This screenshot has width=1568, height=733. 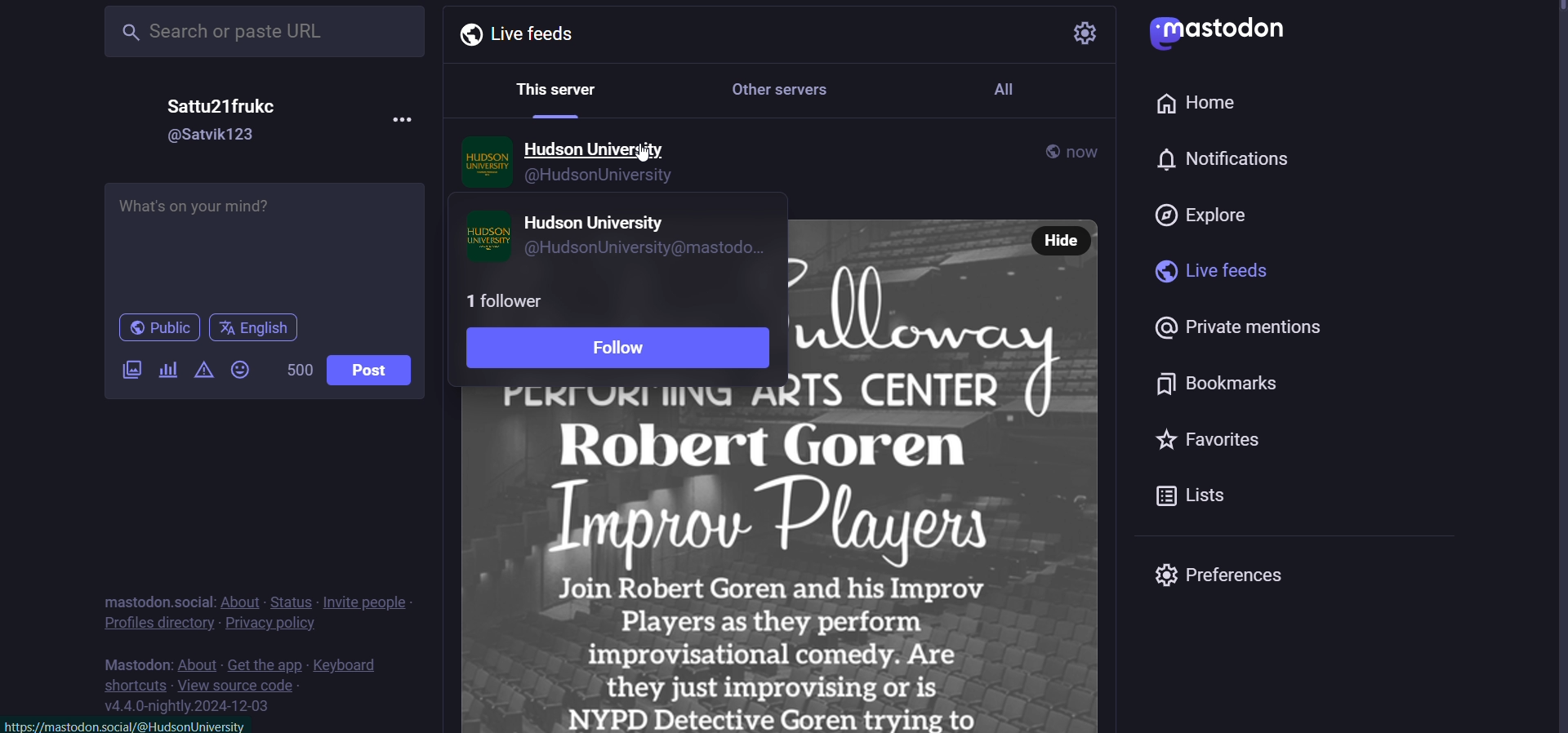 What do you see at coordinates (1212, 28) in the screenshot?
I see `mastodon` at bounding box center [1212, 28].